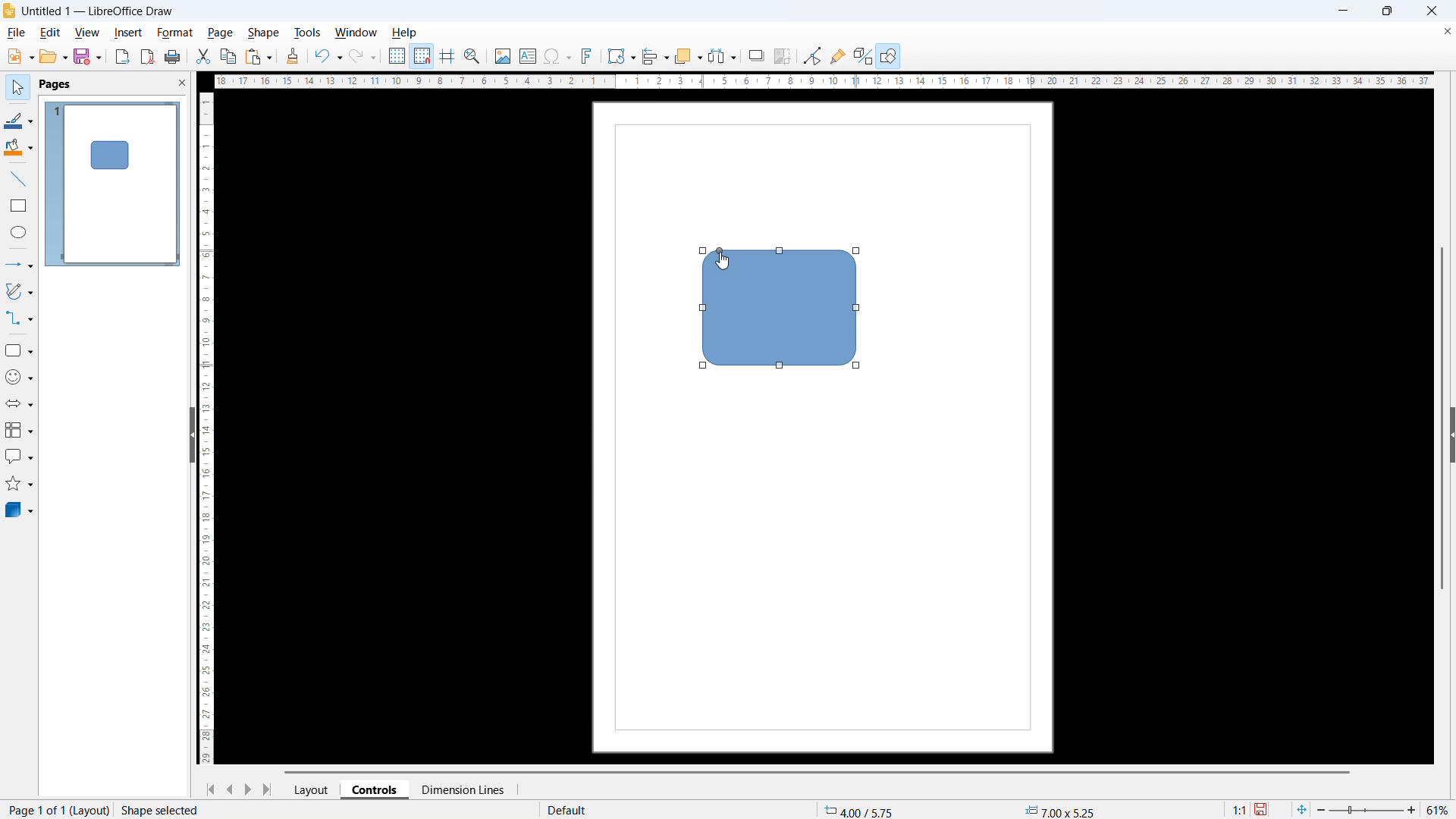 The height and width of the screenshot is (819, 1456). I want to click on Next page , so click(249, 790).